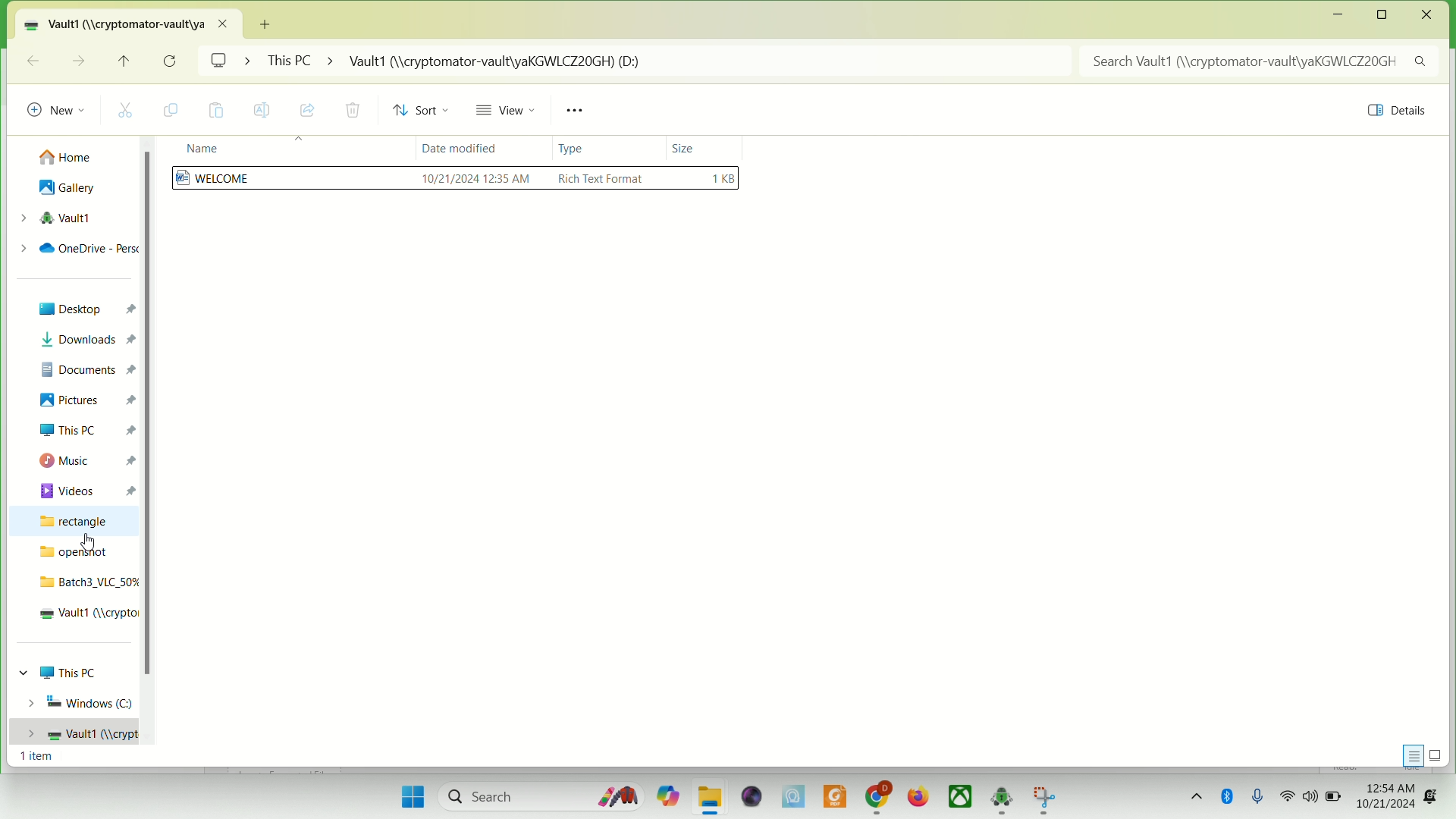 The height and width of the screenshot is (819, 1456). What do you see at coordinates (961, 797) in the screenshot?
I see `Xbox` at bounding box center [961, 797].